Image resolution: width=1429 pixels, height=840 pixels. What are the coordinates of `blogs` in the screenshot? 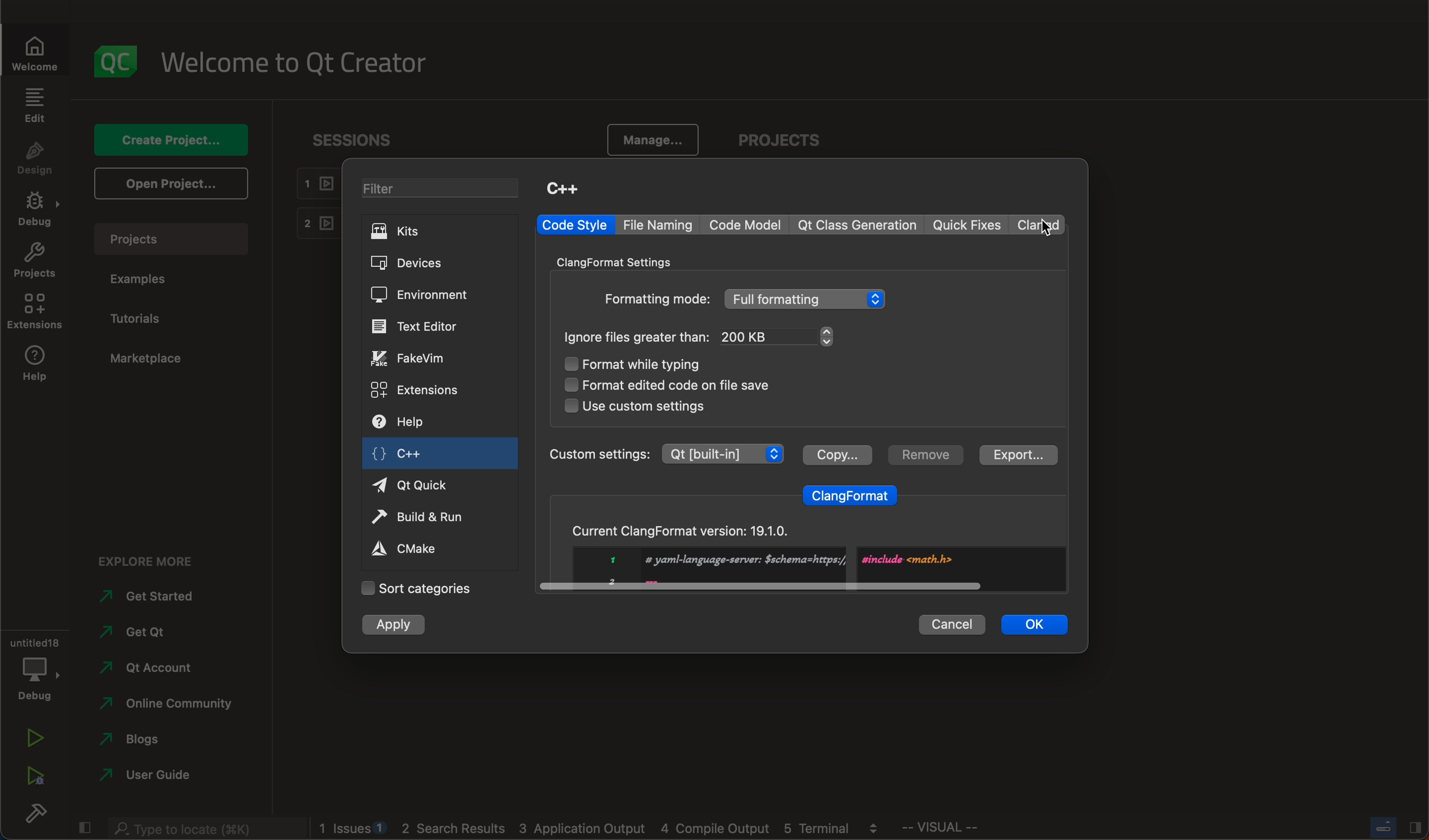 It's located at (133, 740).